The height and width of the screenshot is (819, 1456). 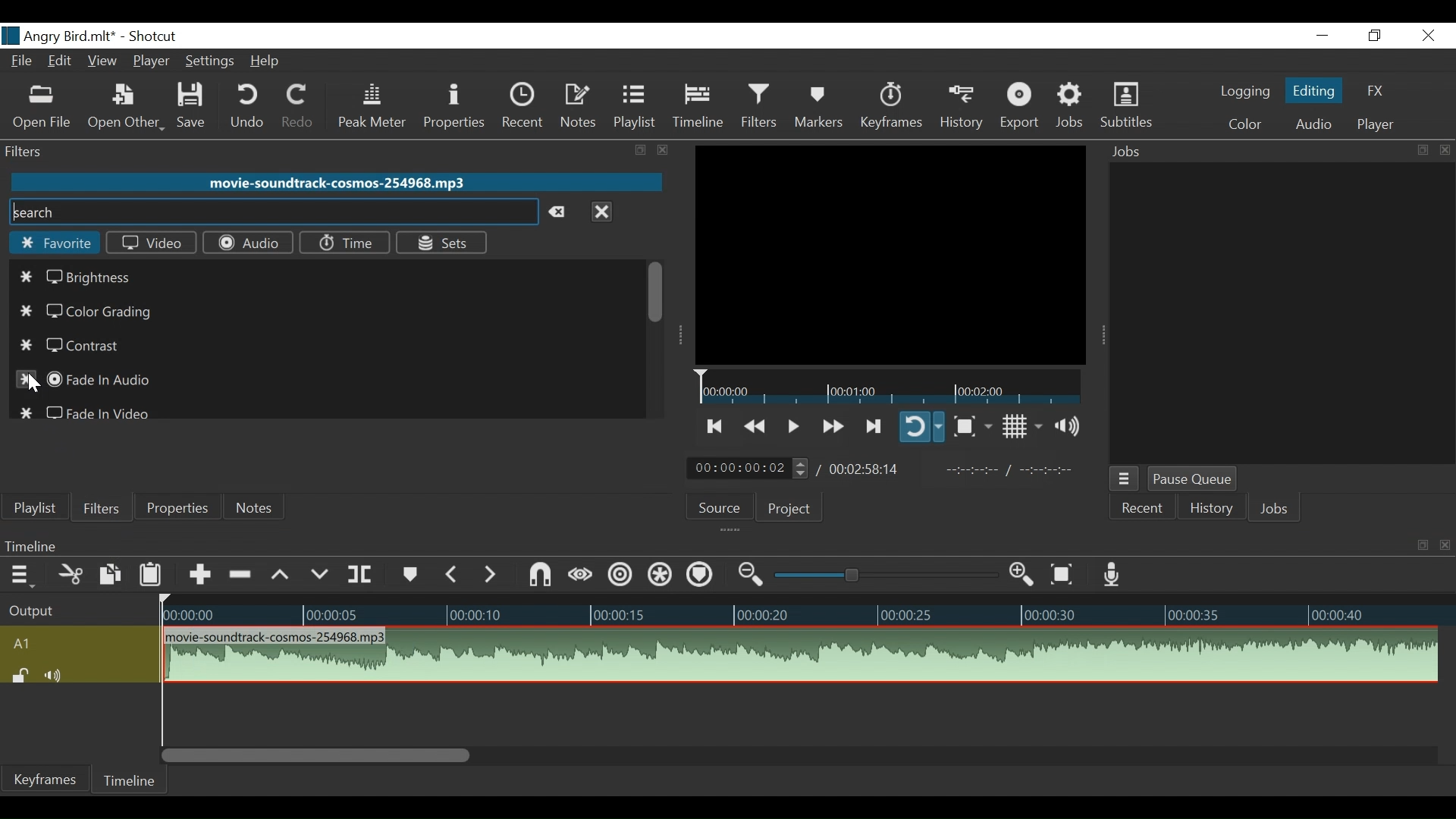 What do you see at coordinates (56, 674) in the screenshot?
I see `Mute` at bounding box center [56, 674].